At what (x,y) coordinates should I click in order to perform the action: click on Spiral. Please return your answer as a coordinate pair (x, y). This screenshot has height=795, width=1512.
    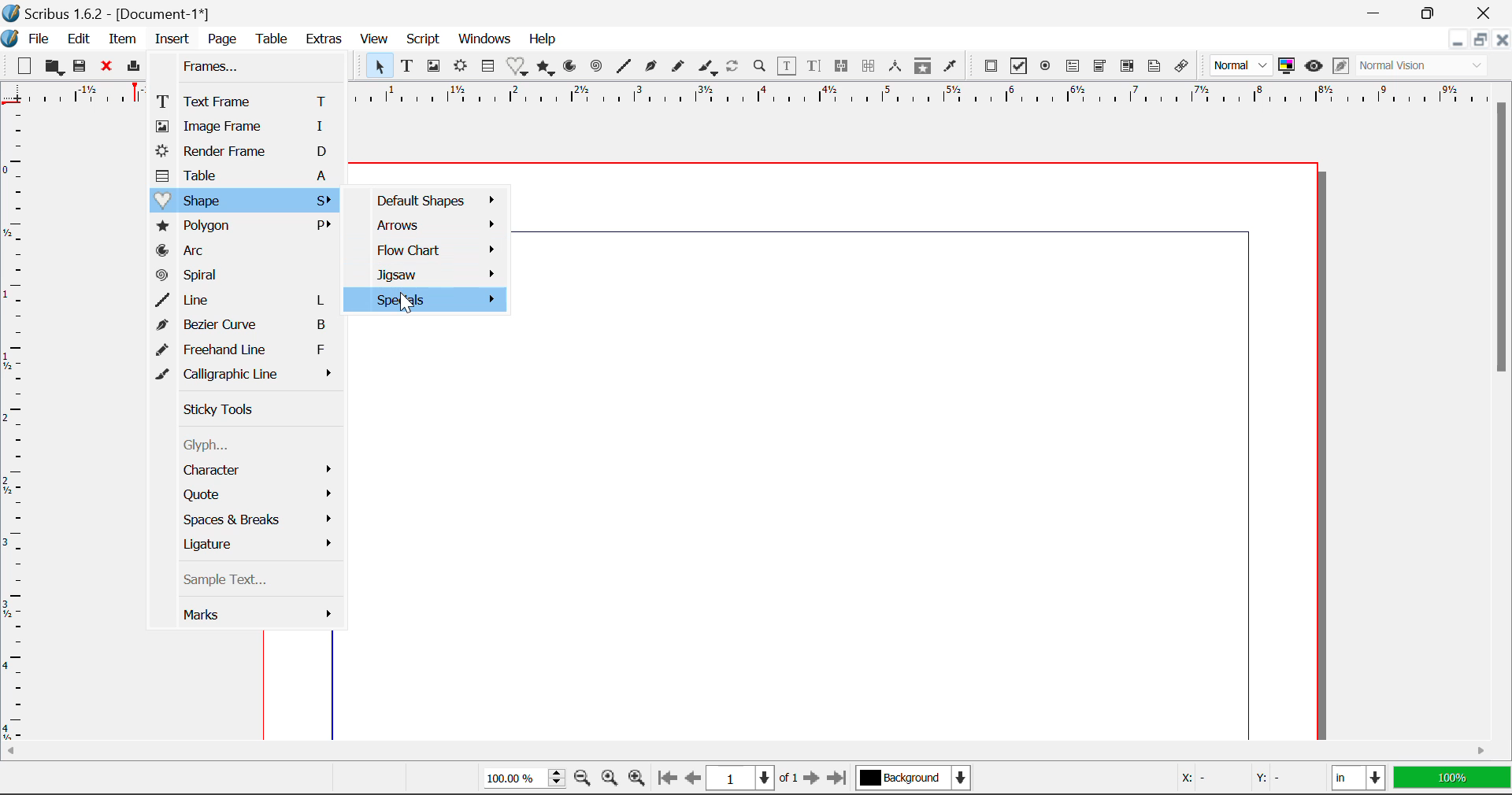
    Looking at the image, I should click on (597, 67).